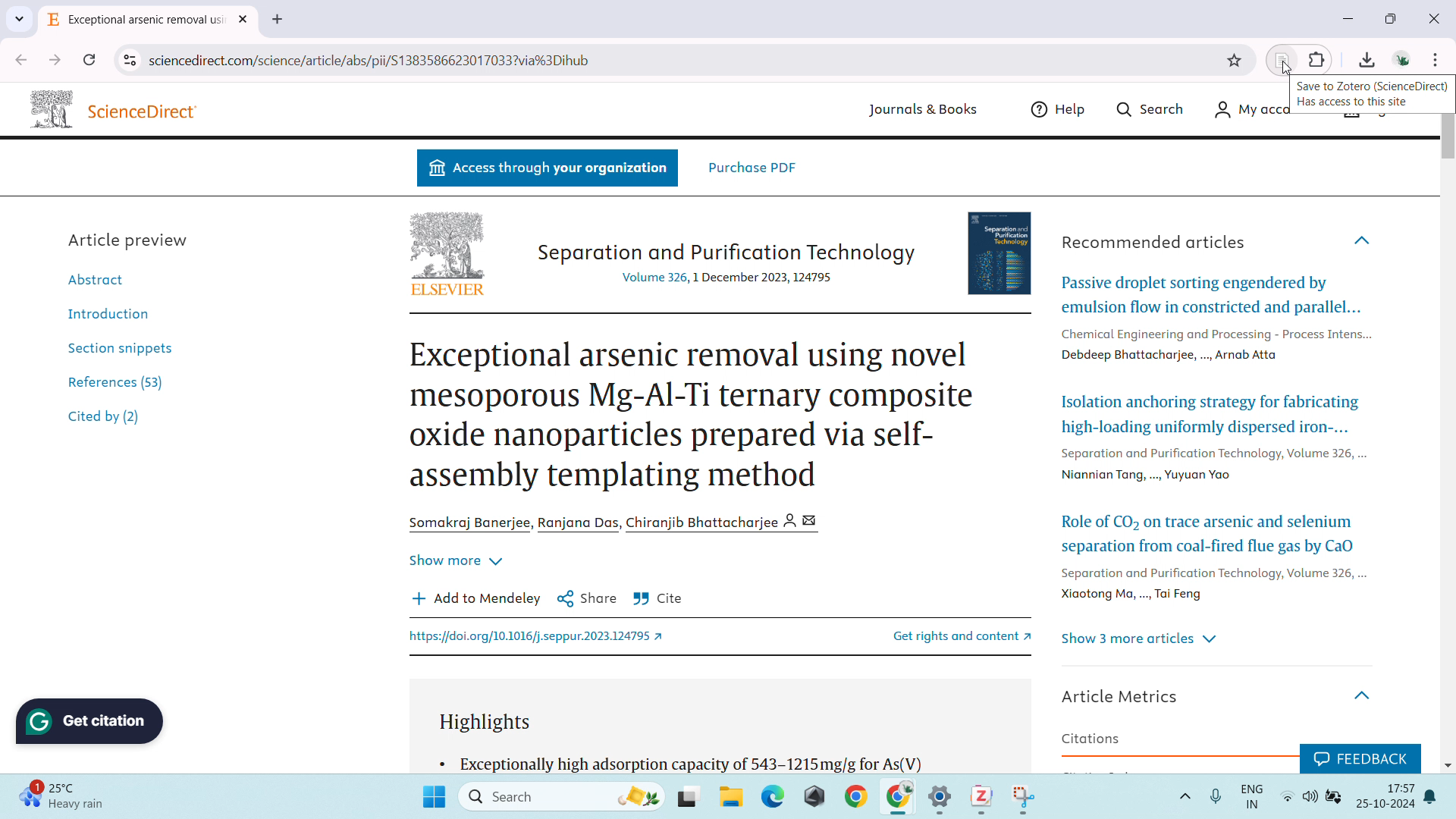  Describe the element at coordinates (447, 291) in the screenshot. I see `ELSEVIER` at that location.